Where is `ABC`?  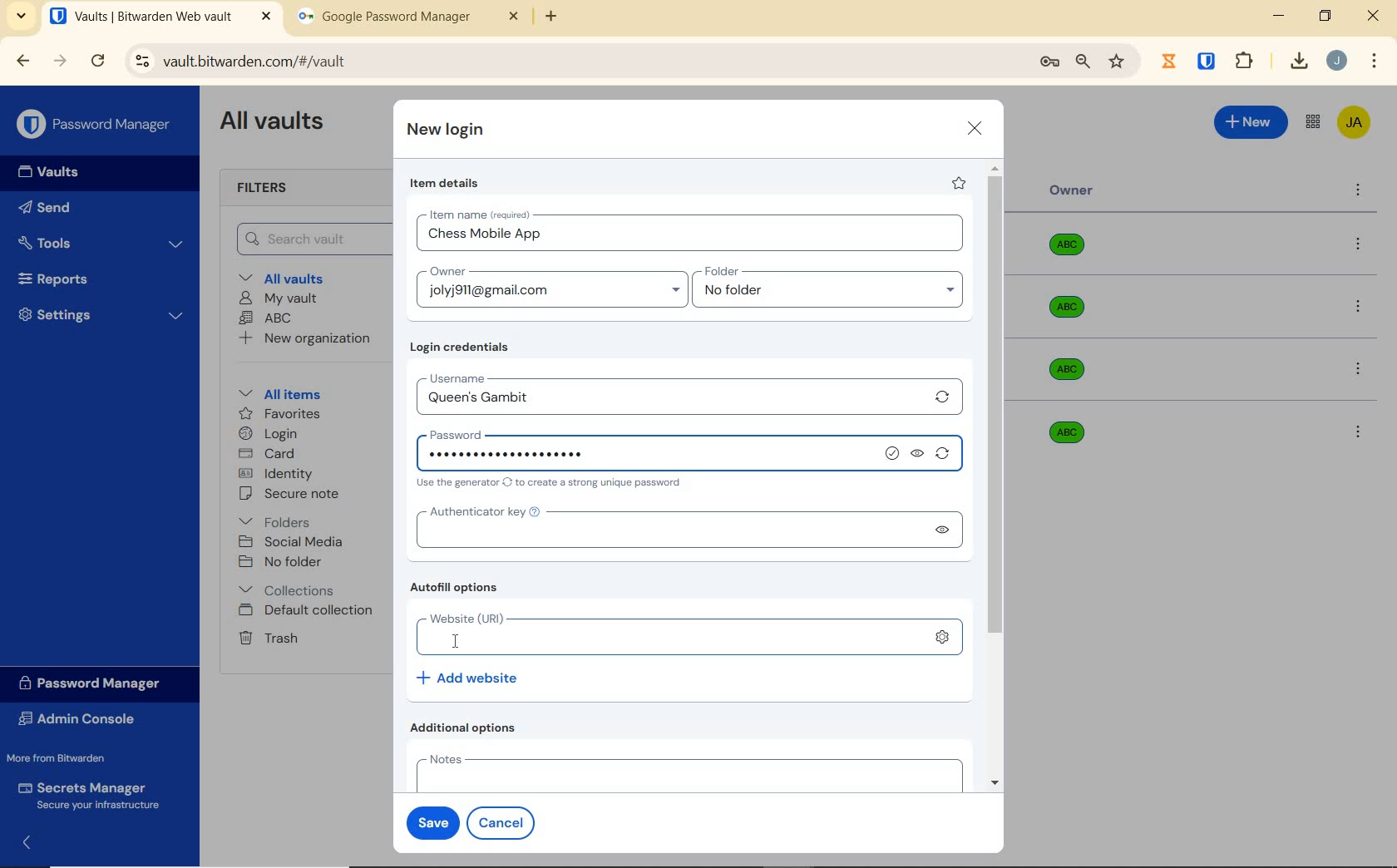 ABC is located at coordinates (265, 318).